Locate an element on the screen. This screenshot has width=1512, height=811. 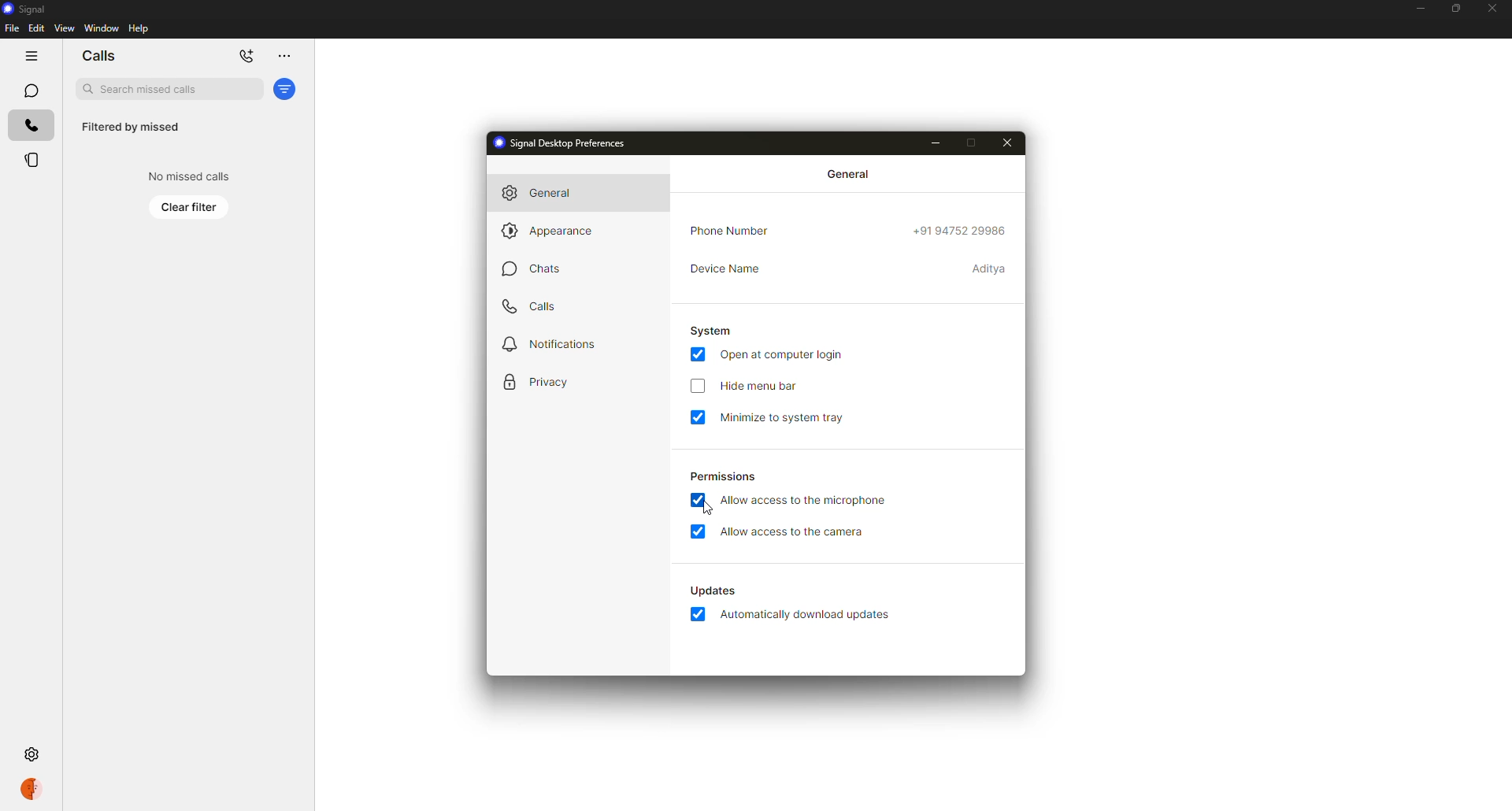
hide menu bar is located at coordinates (762, 387).